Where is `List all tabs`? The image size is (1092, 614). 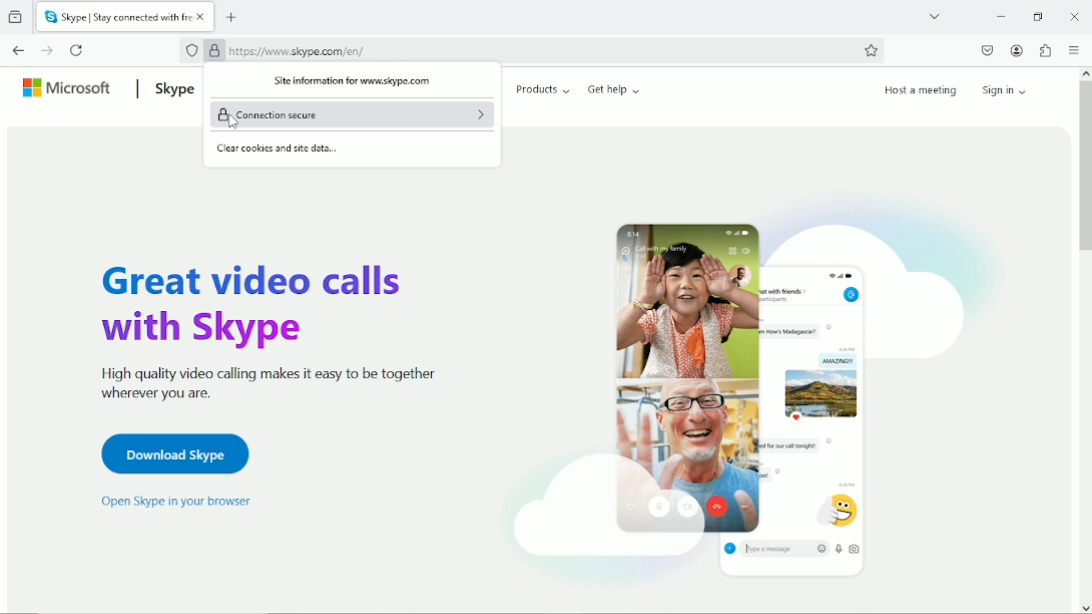 List all tabs is located at coordinates (934, 15).